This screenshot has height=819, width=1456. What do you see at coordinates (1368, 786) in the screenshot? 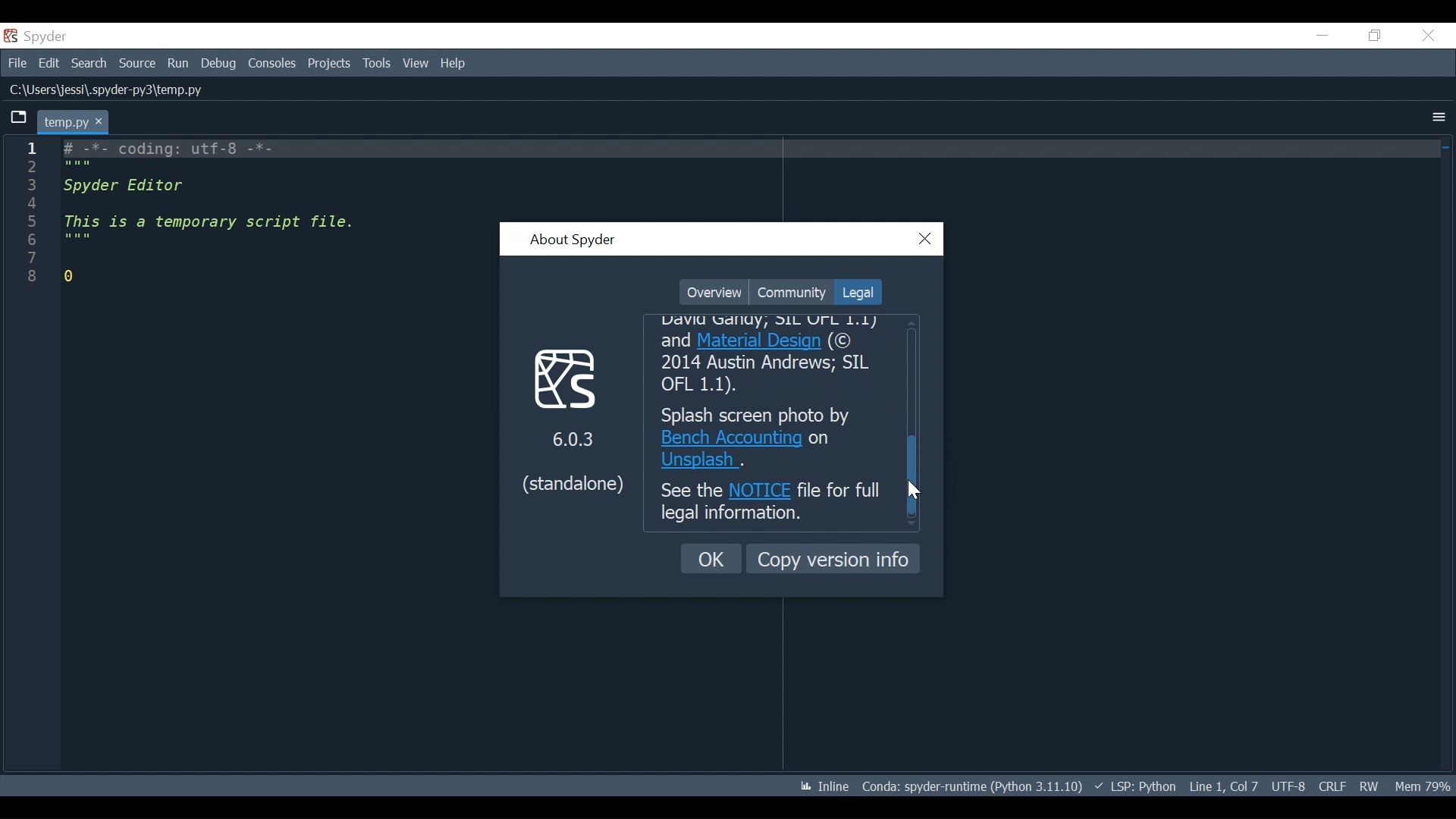
I see `RW` at bounding box center [1368, 786].